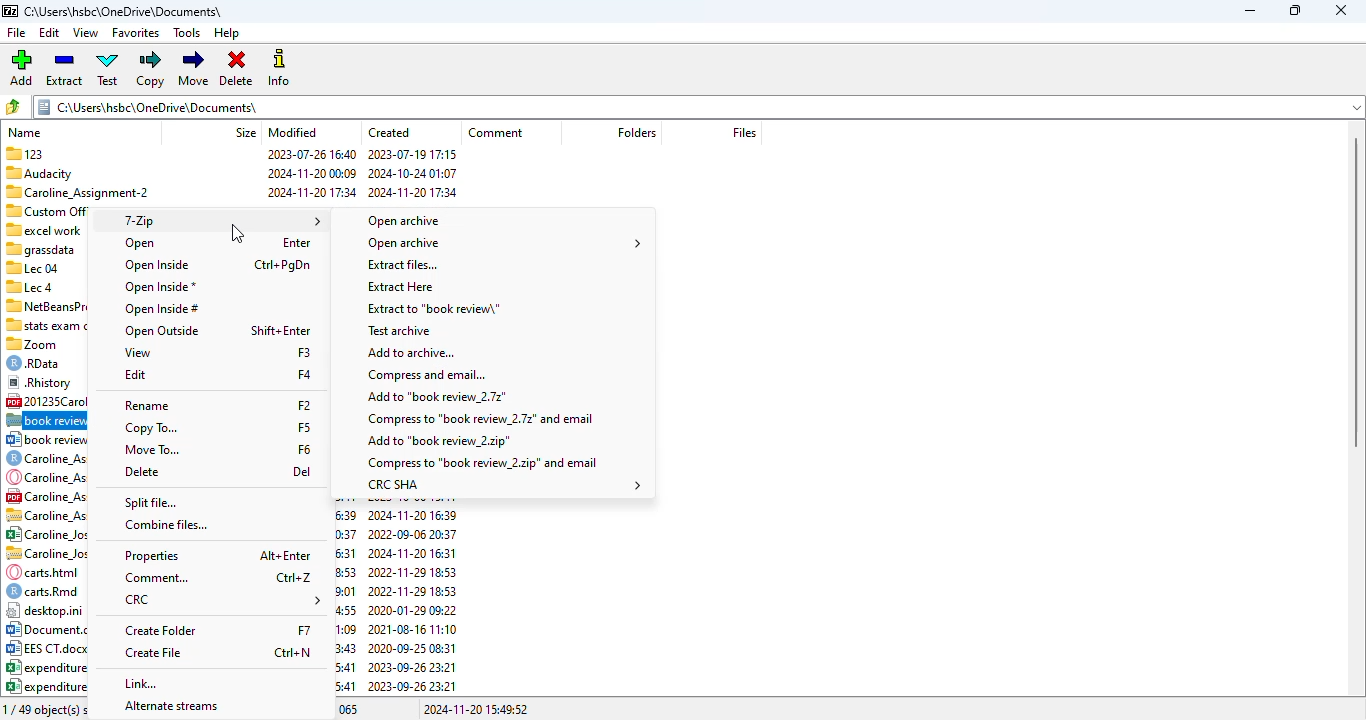 The width and height of the screenshot is (1366, 720). I want to click on folder, so click(635, 132).